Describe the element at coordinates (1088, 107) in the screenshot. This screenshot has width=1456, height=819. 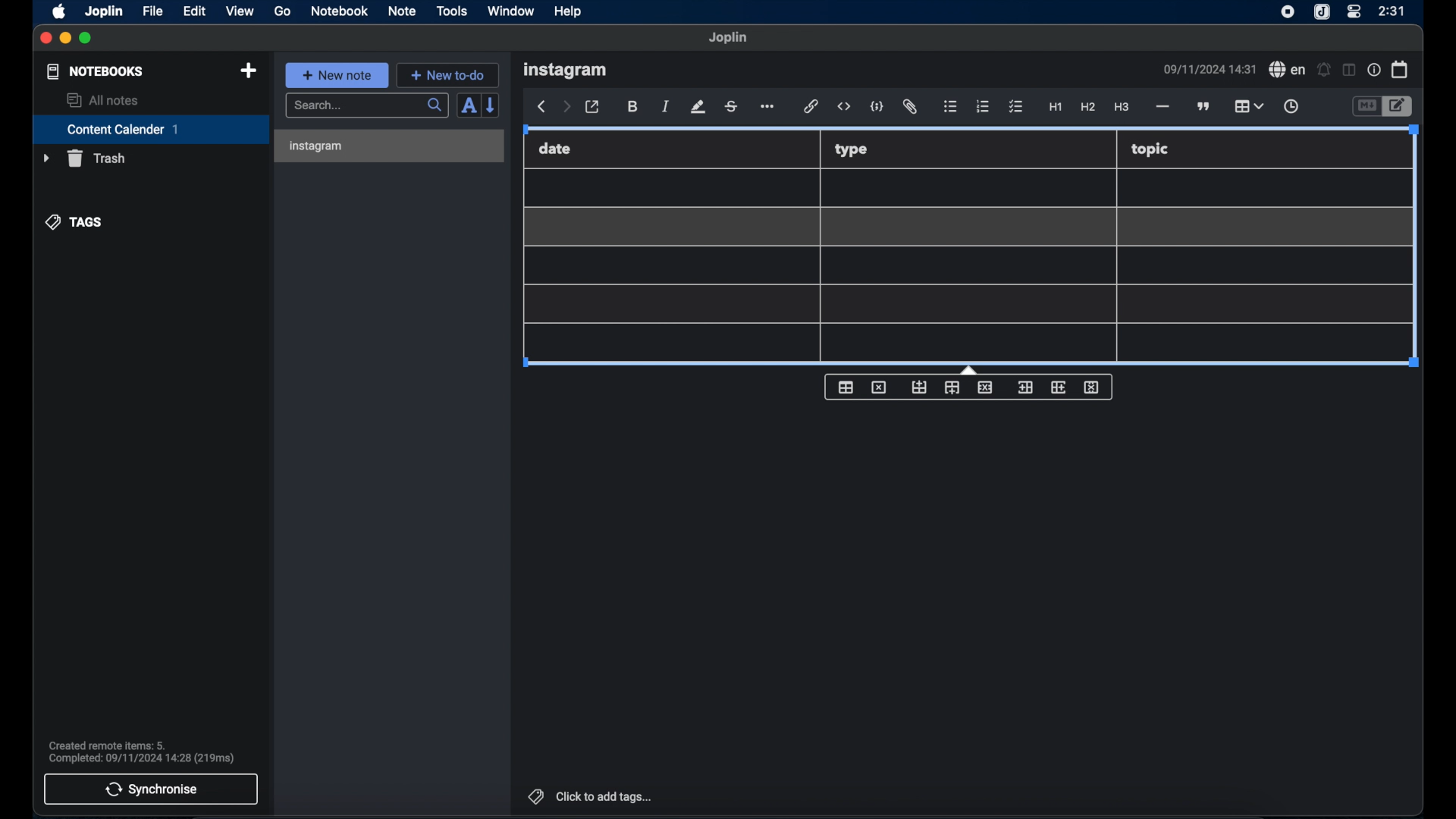
I see `heading 2` at that location.